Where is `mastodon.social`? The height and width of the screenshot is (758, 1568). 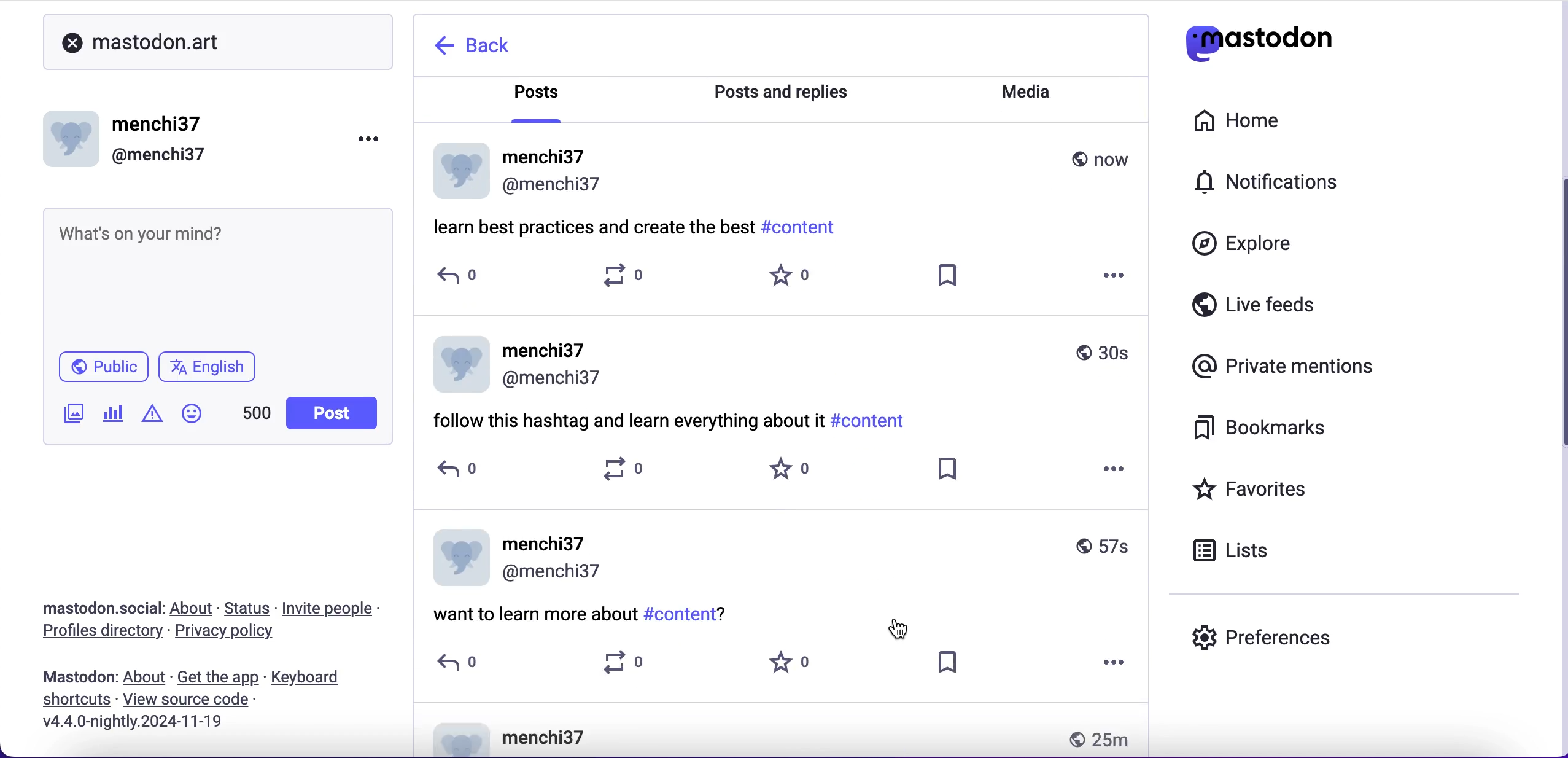 mastodon.social is located at coordinates (96, 605).